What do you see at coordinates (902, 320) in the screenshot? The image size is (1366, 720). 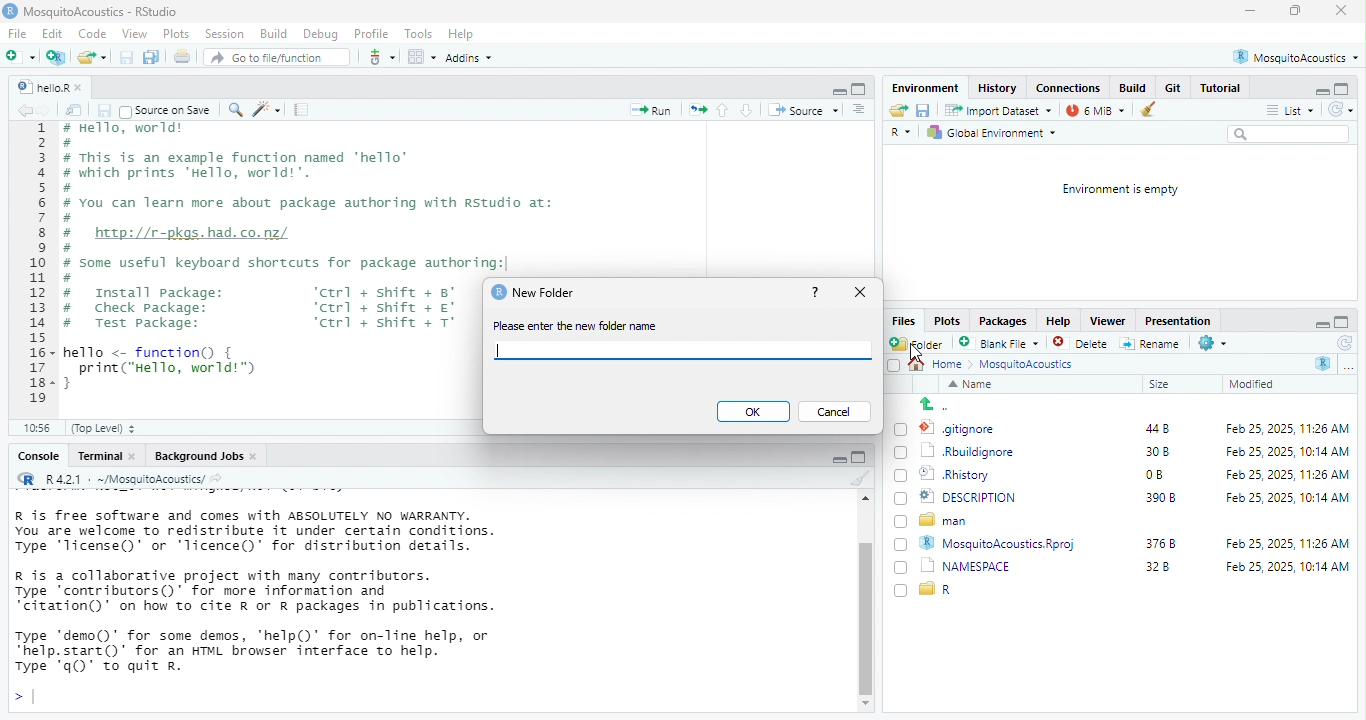 I see `Files` at bounding box center [902, 320].